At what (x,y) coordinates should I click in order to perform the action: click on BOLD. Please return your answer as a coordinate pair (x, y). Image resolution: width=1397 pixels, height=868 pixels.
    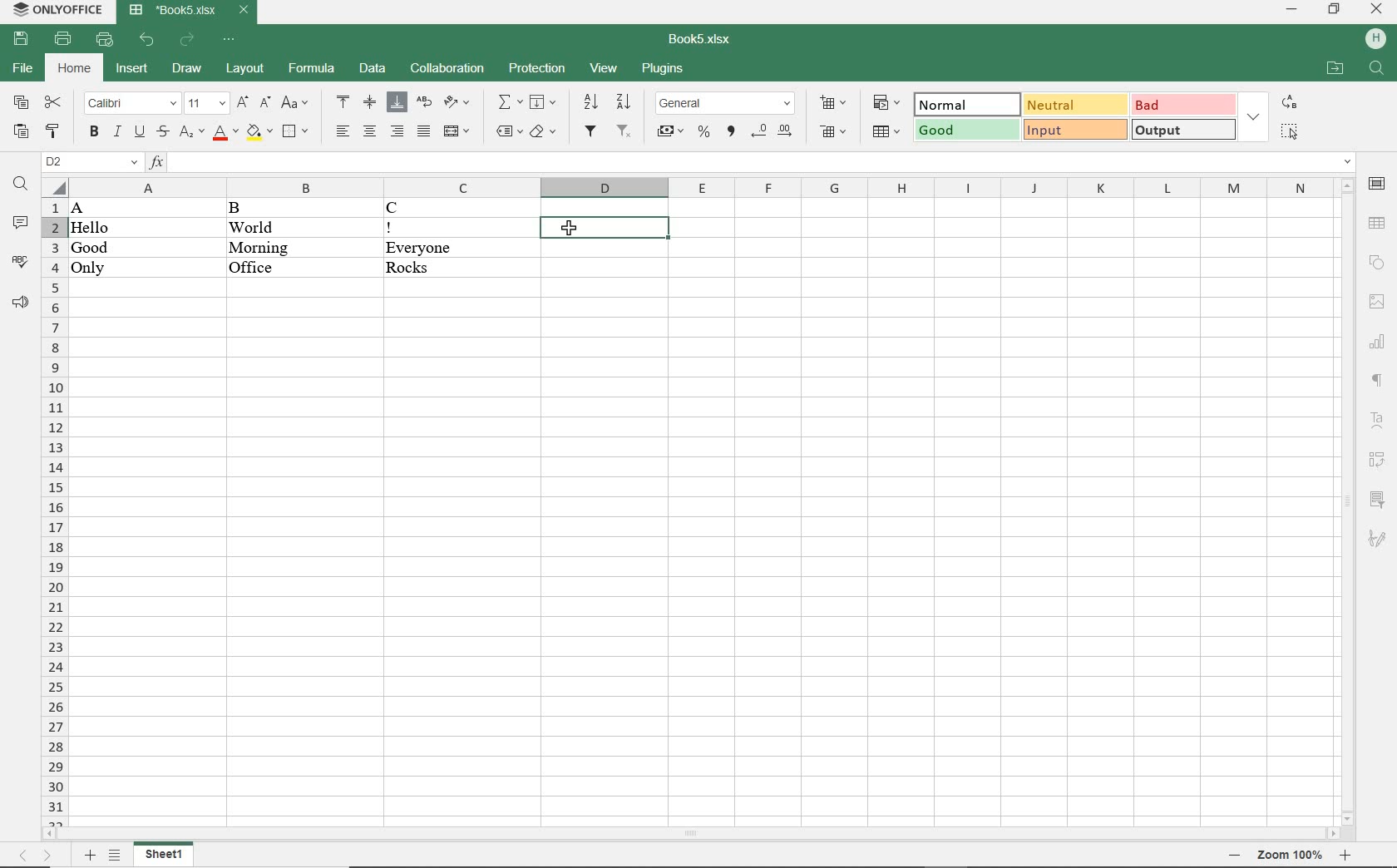
    Looking at the image, I should click on (94, 134).